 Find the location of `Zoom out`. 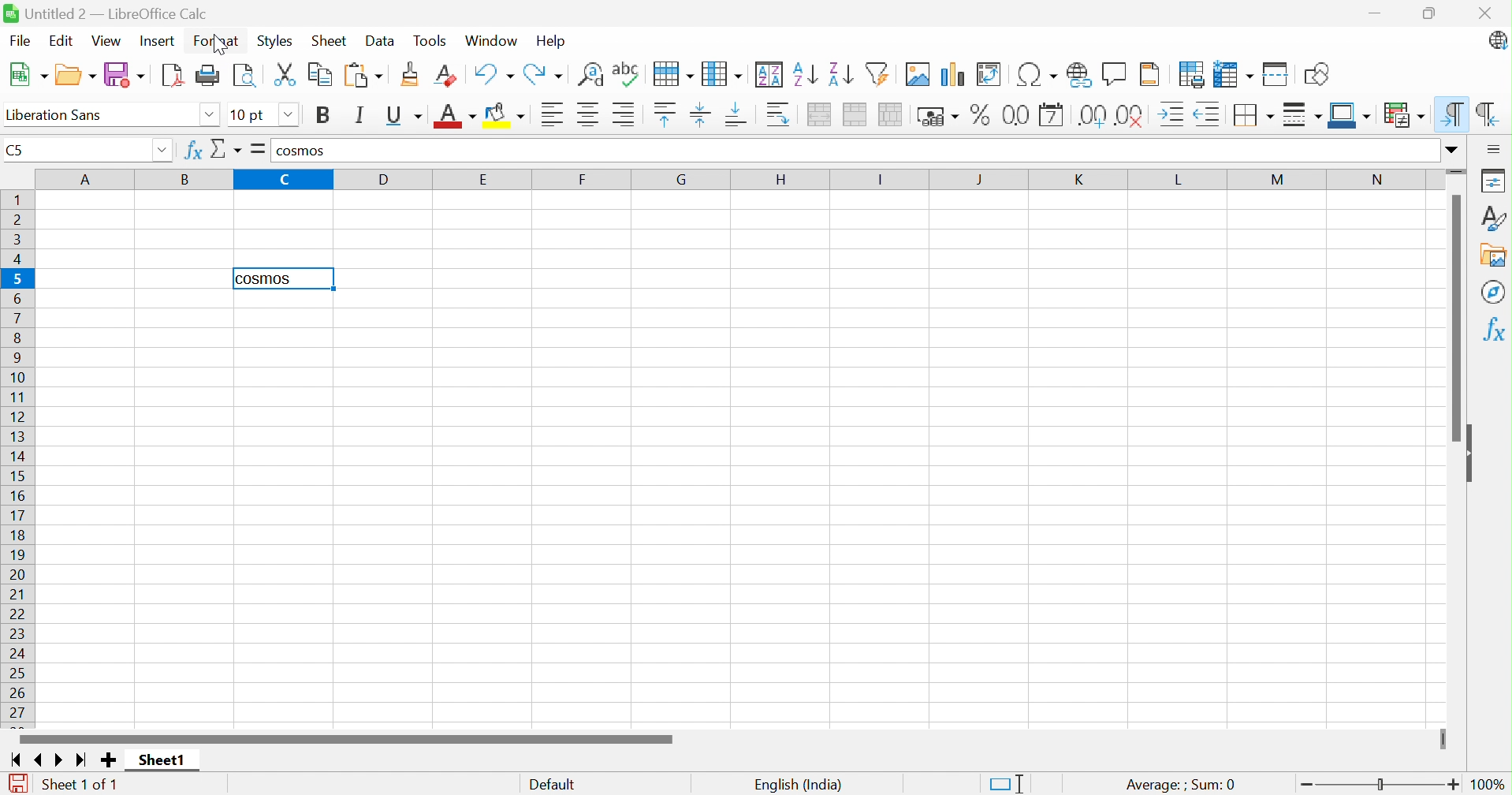

Zoom out is located at coordinates (1309, 783).